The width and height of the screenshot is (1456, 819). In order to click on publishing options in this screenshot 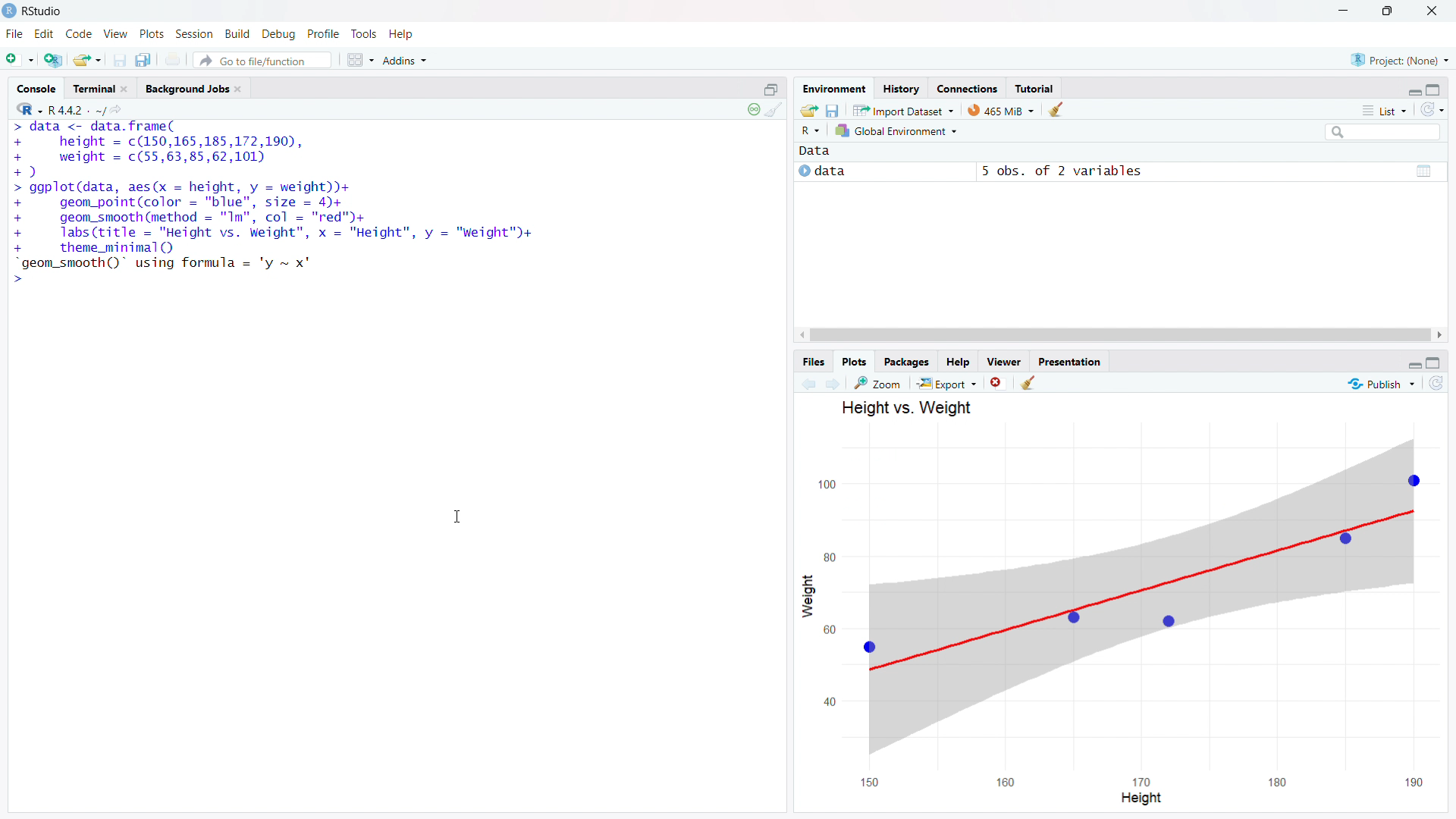, I will do `click(1378, 383)`.